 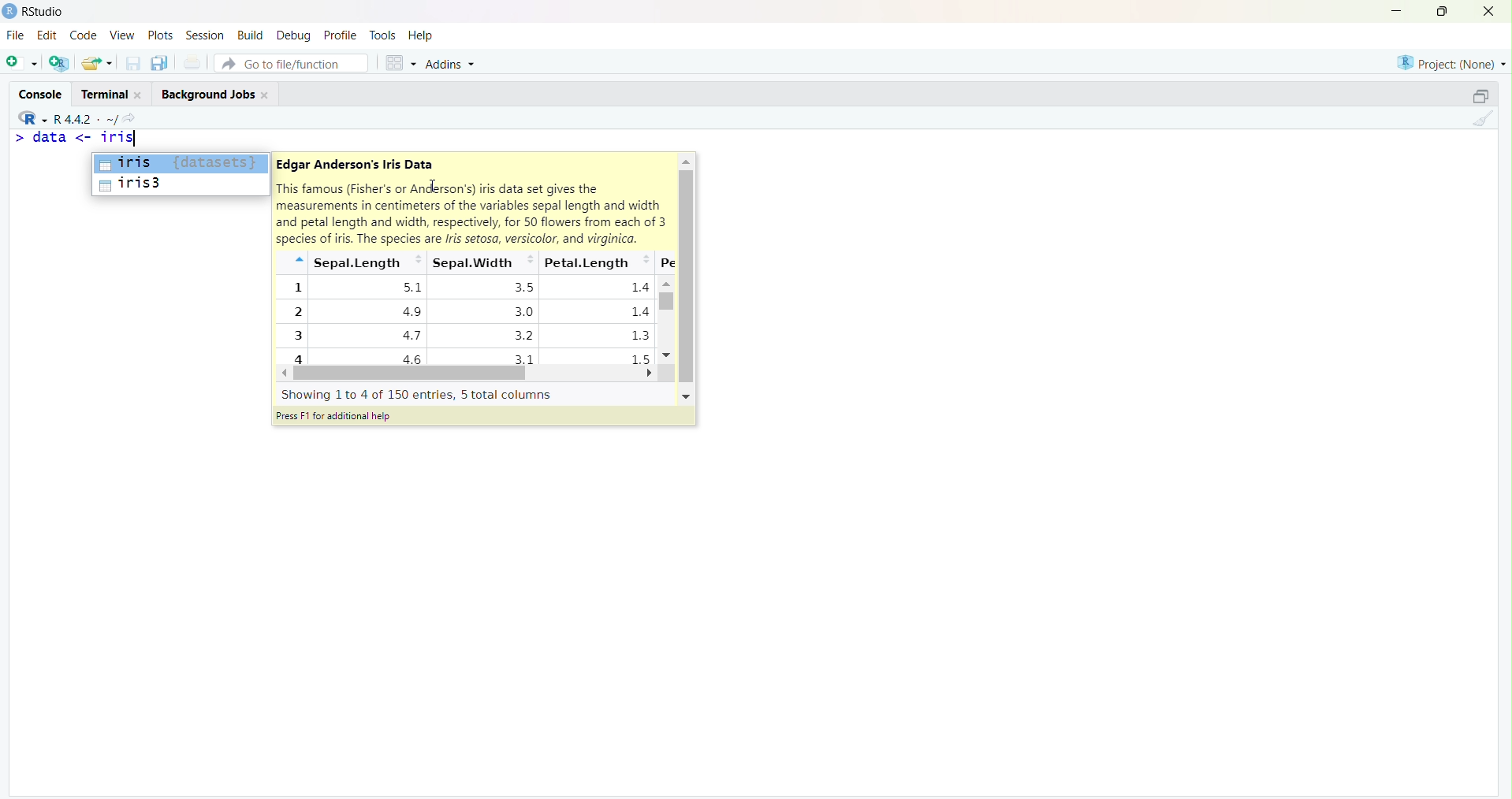 What do you see at coordinates (60, 61) in the screenshot?
I see `Create a project` at bounding box center [60, 61].